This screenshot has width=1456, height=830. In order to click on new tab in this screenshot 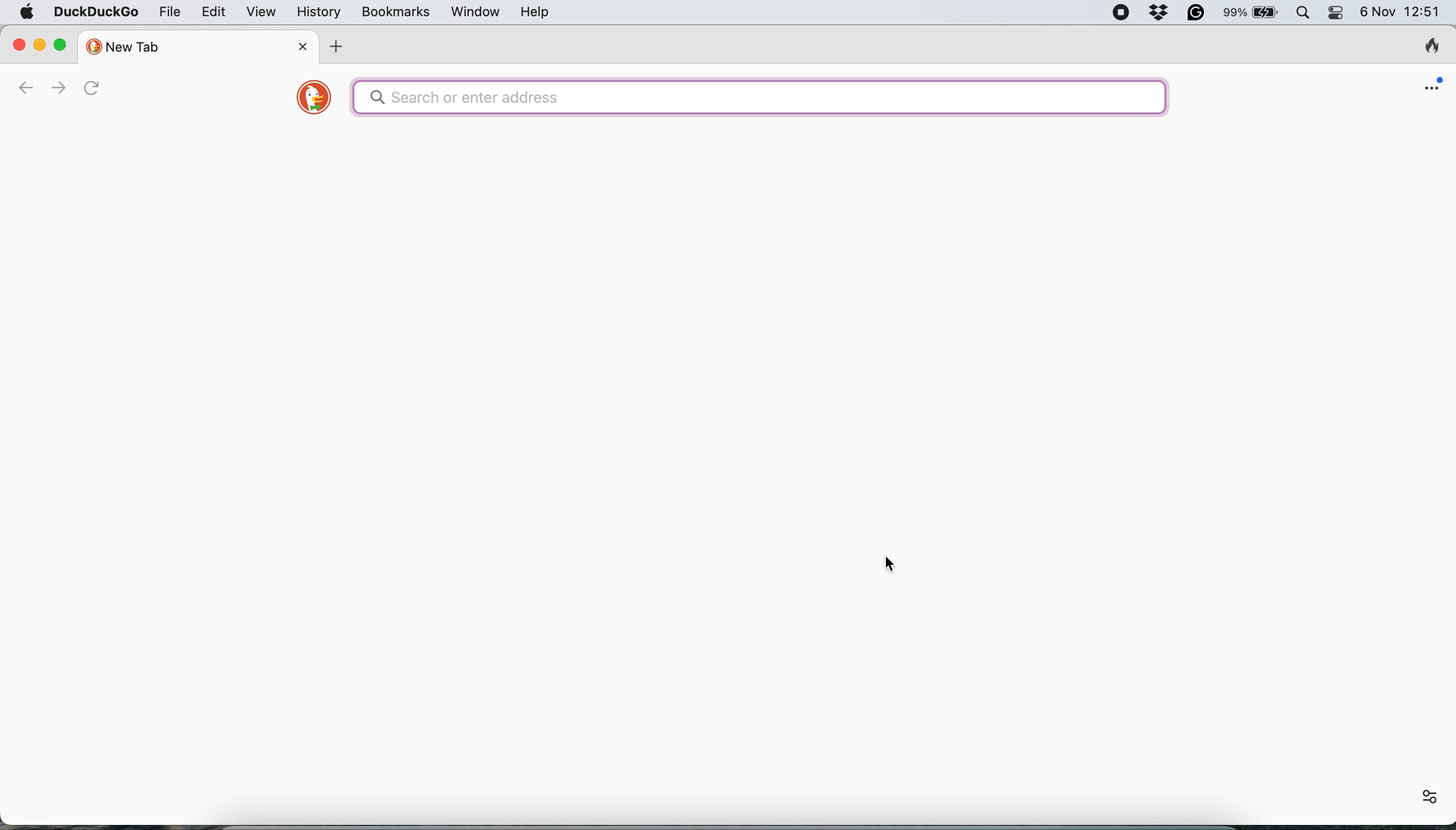, I will do `click(198, 44)`.